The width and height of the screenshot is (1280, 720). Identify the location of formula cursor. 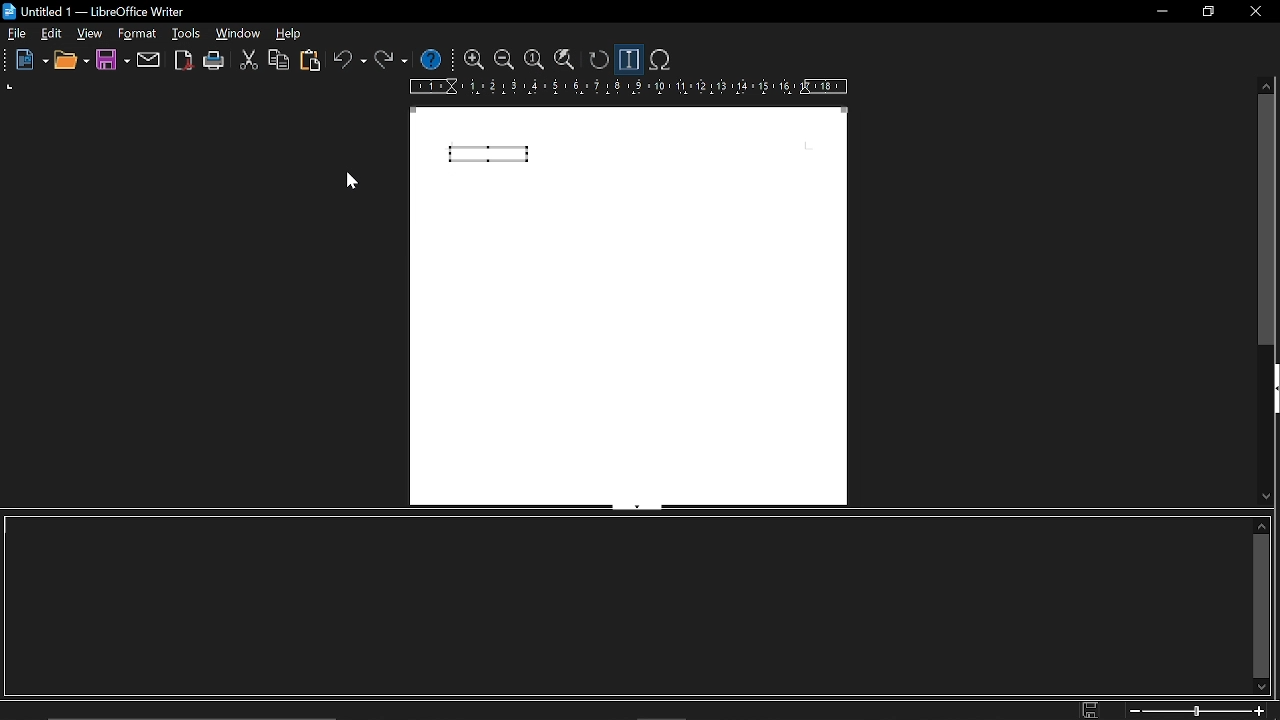
(628, 60).